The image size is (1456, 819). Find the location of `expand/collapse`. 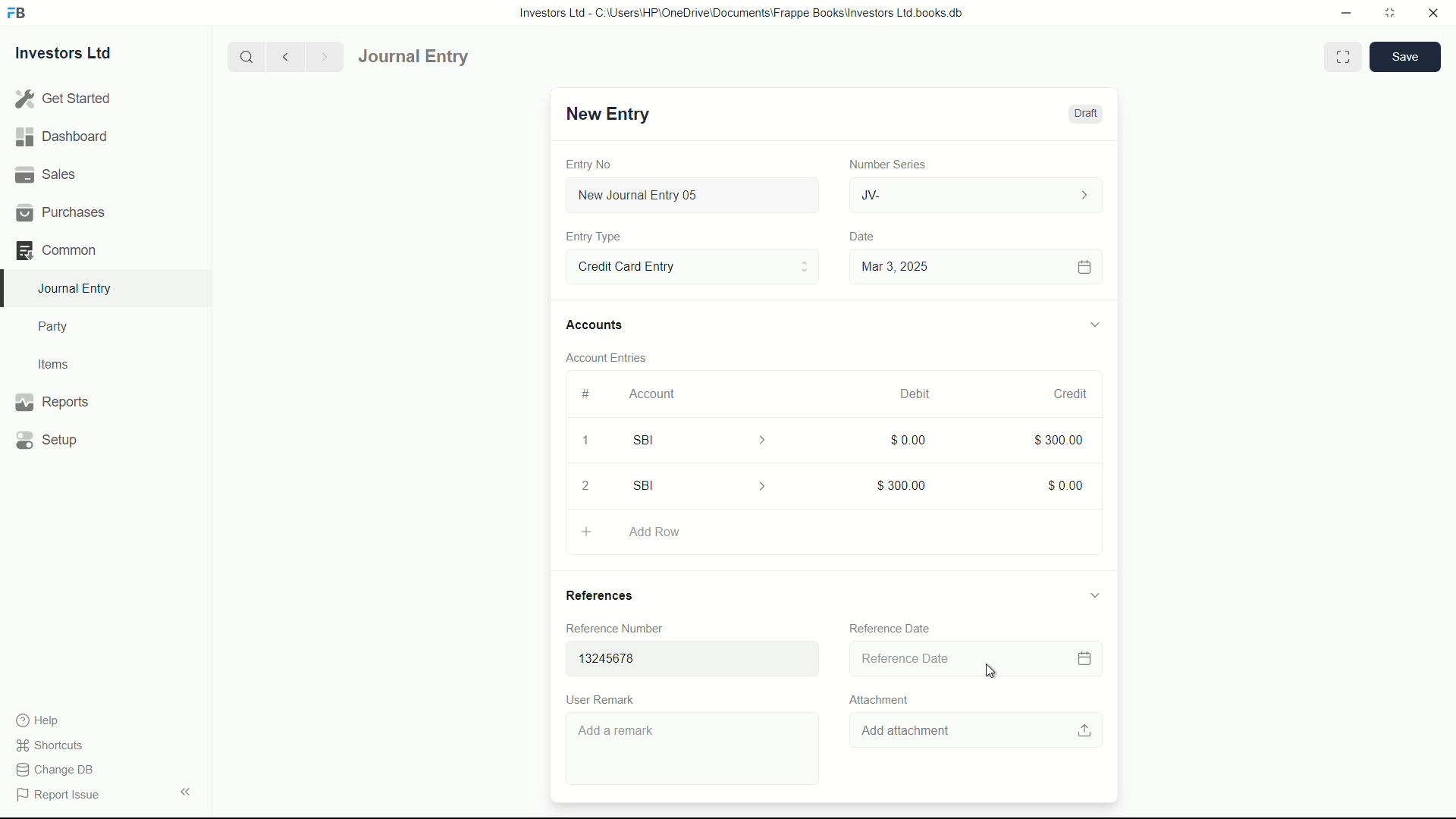

expand/collapse is located at coordinates (185, 790).